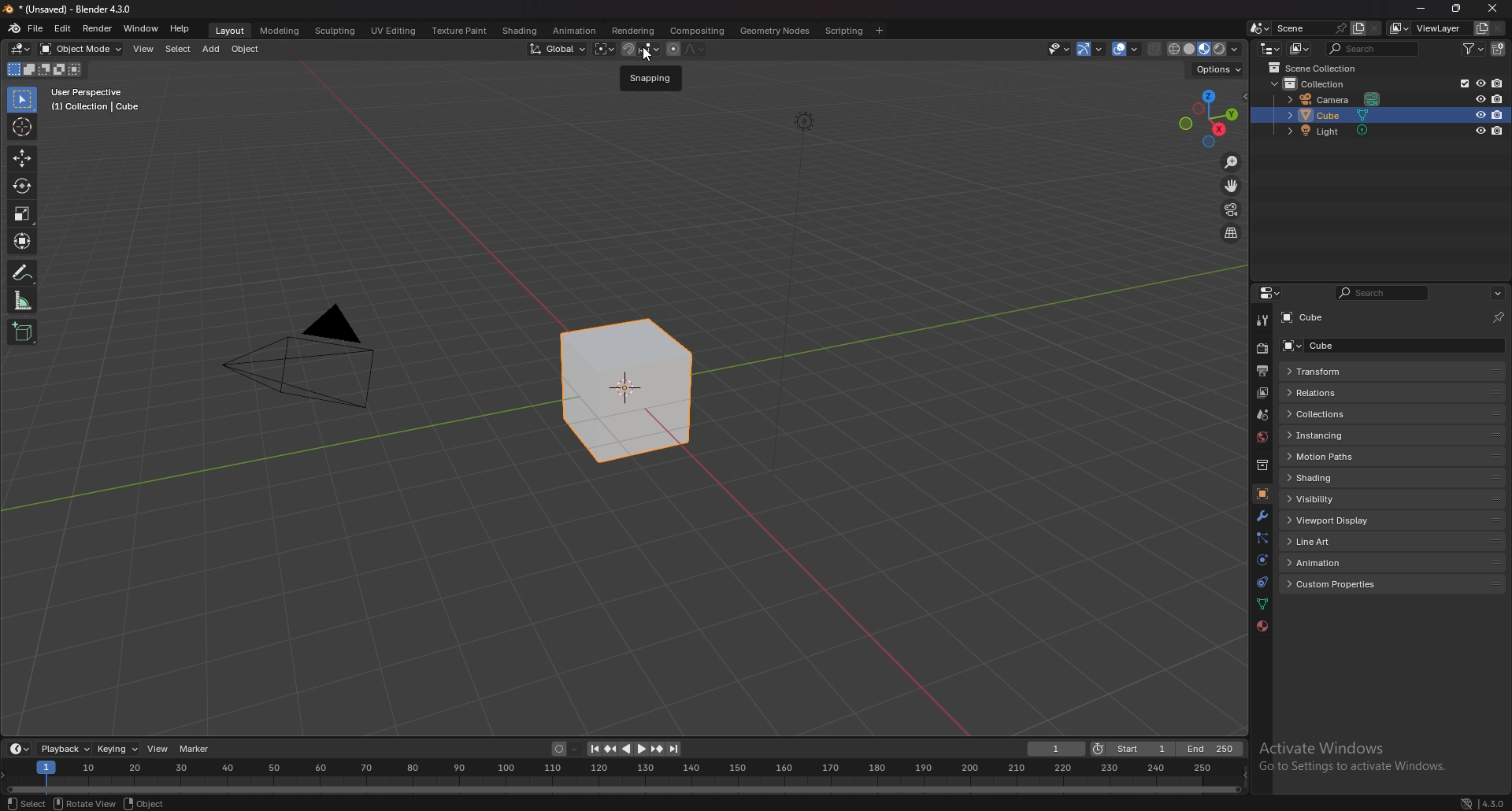 The width and height of the screenshot is (1512, 811). Describe the element at coordinates (82, 49) in the screenshot. I see `object mode` at that location.